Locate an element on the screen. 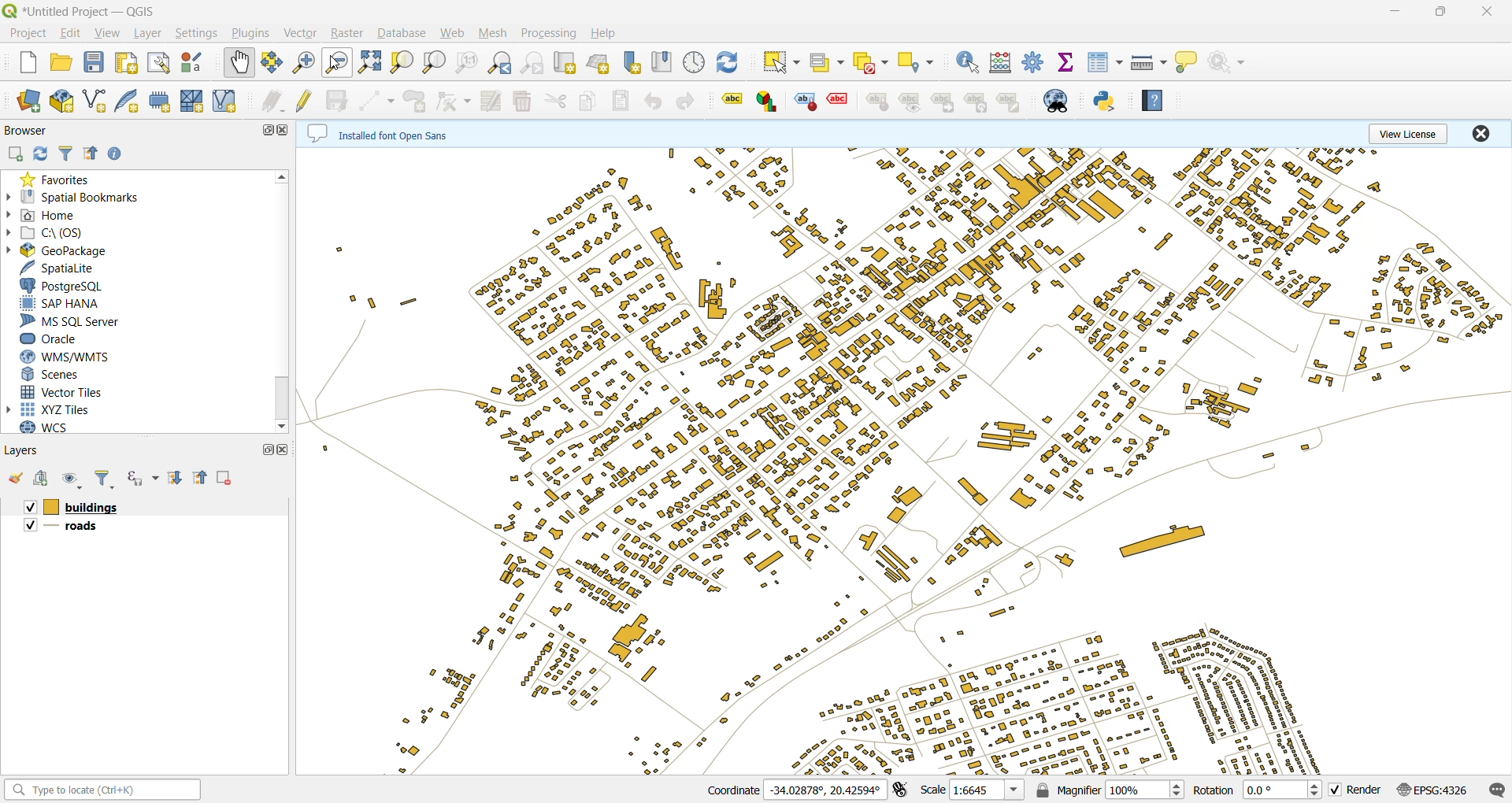 The image size is (1512, 803). label is located at coordinates (805, 102).